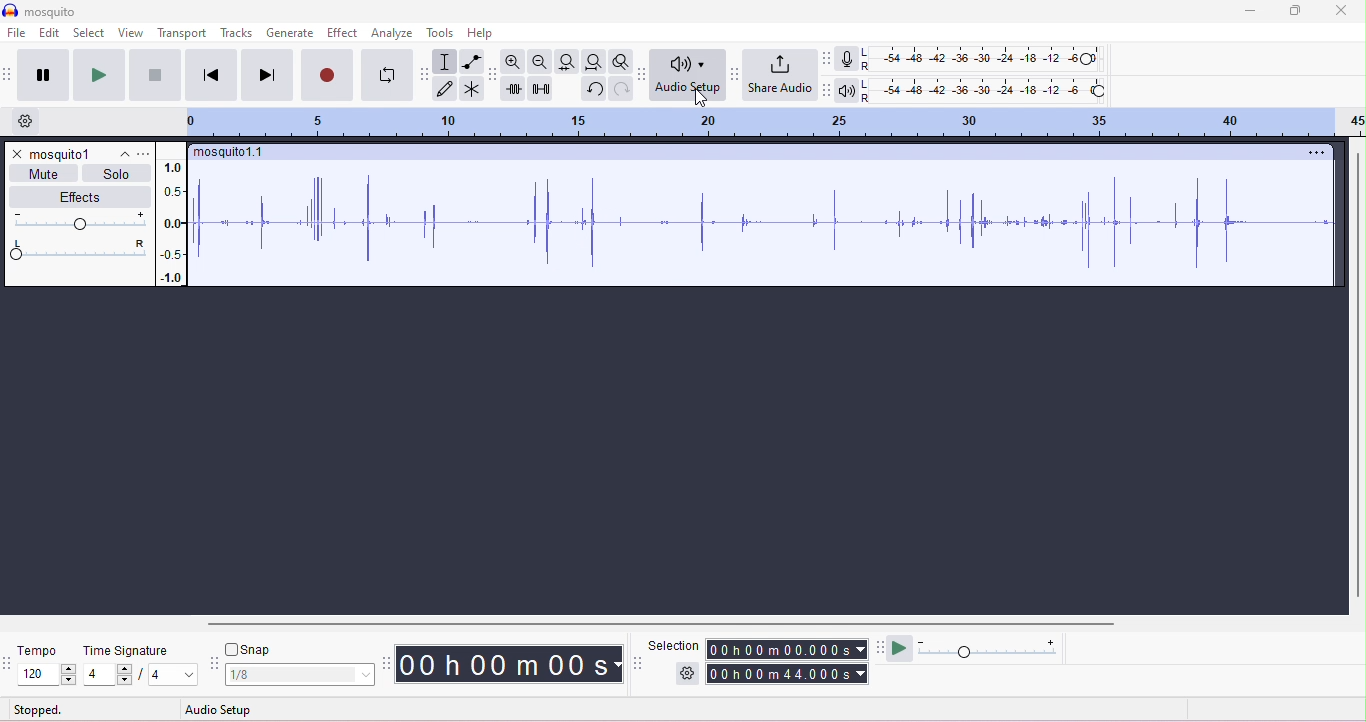 Image resolution: width=1366 pixels, height=722 pixels. Describe the element at coordinates (779, 75) in the screenshot. I see `share audio` at that location.